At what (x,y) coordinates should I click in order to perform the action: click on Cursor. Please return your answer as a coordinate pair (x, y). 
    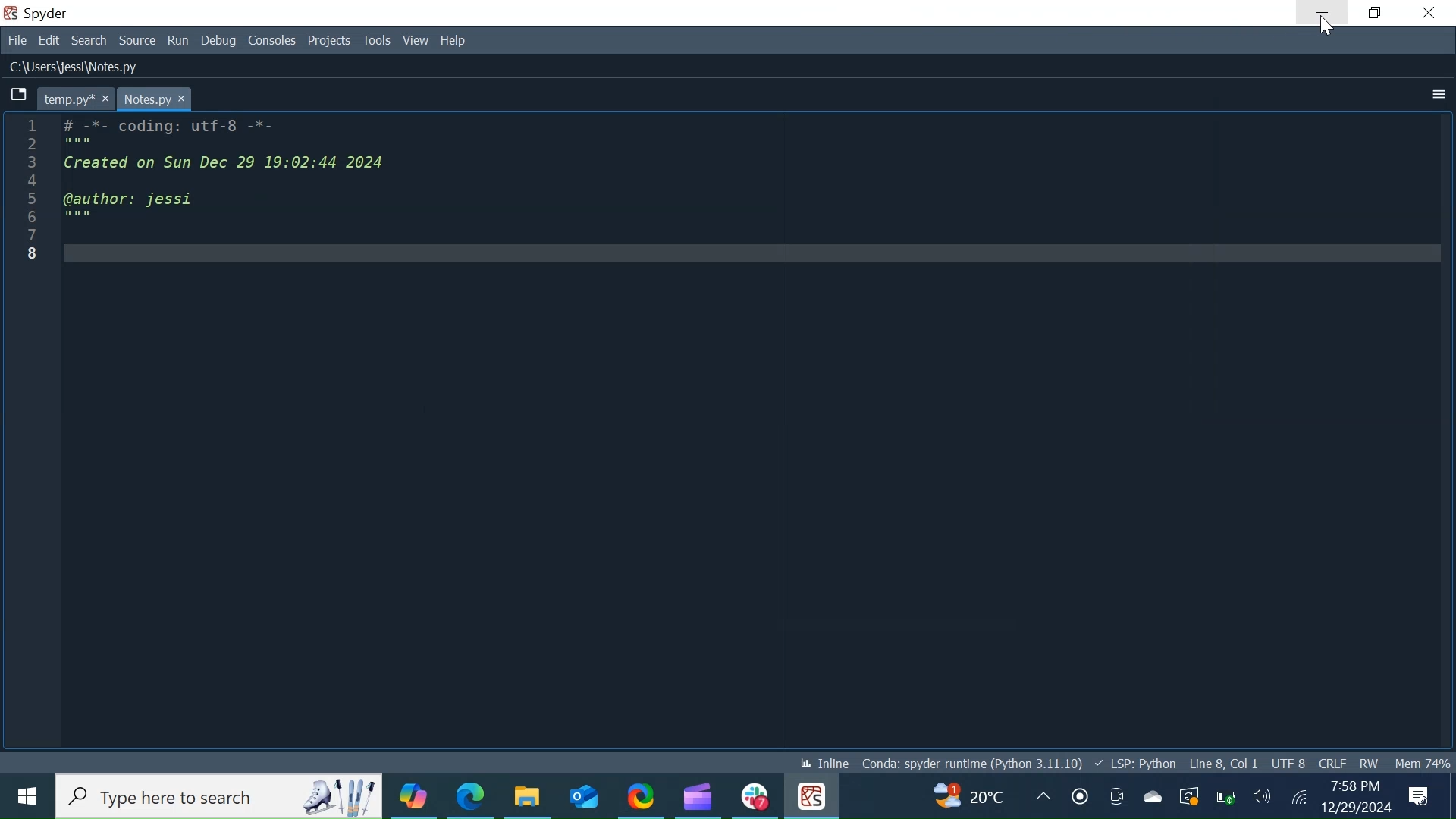
    Looking at the image, I should click on (1329, 26).